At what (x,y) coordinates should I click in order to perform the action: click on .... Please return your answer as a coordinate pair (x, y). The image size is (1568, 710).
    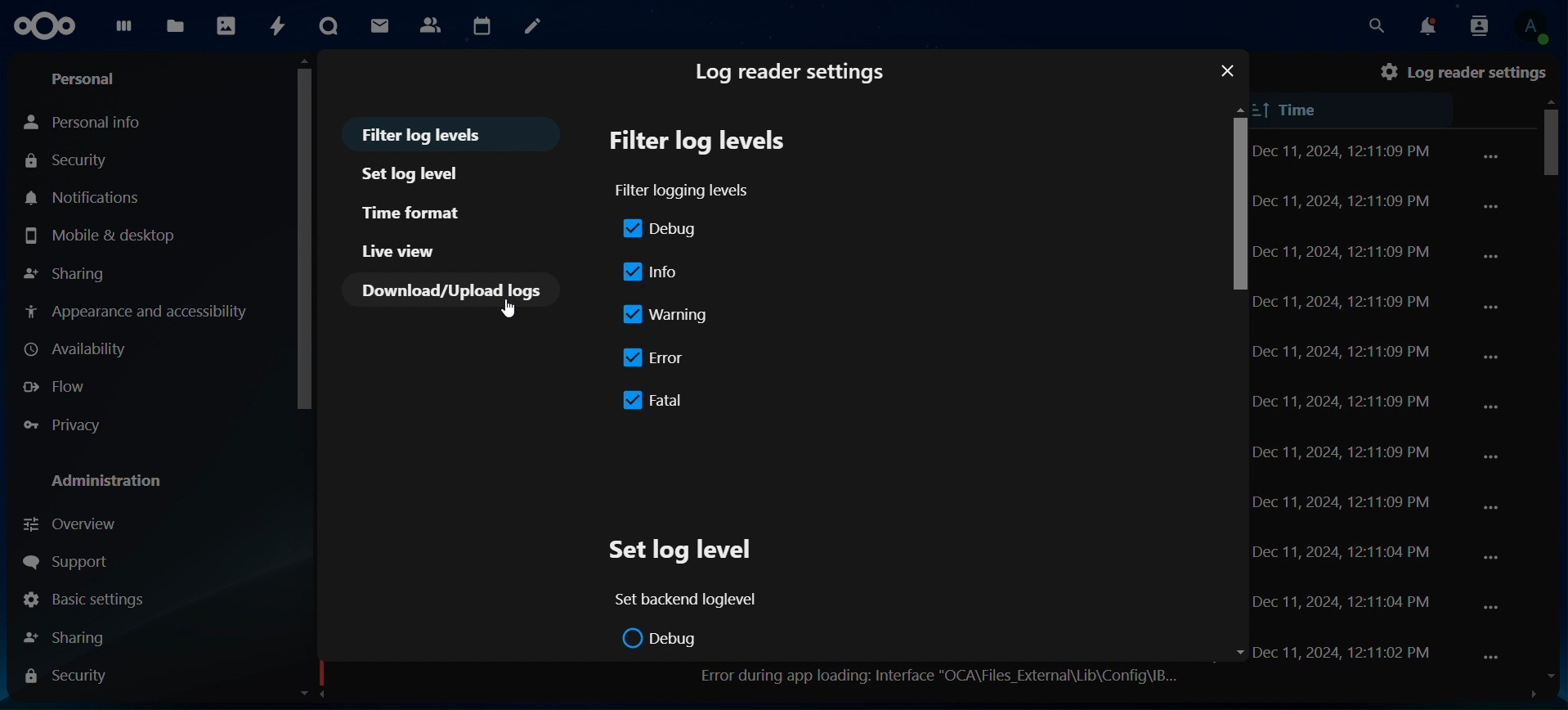
    Looking at the image, I should click on (1494, 359).